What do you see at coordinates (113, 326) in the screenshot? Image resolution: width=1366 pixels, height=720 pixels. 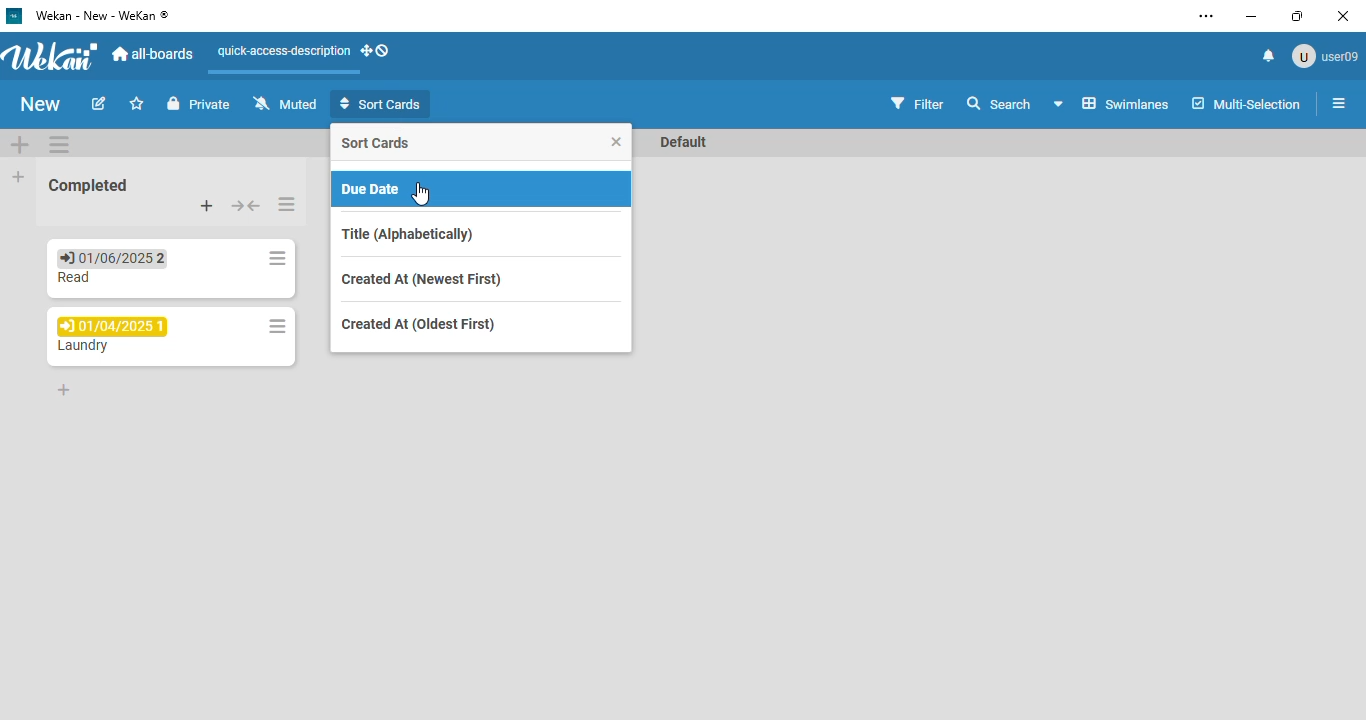 I see `01/04/2025 ` at bounding box center [113, 326].